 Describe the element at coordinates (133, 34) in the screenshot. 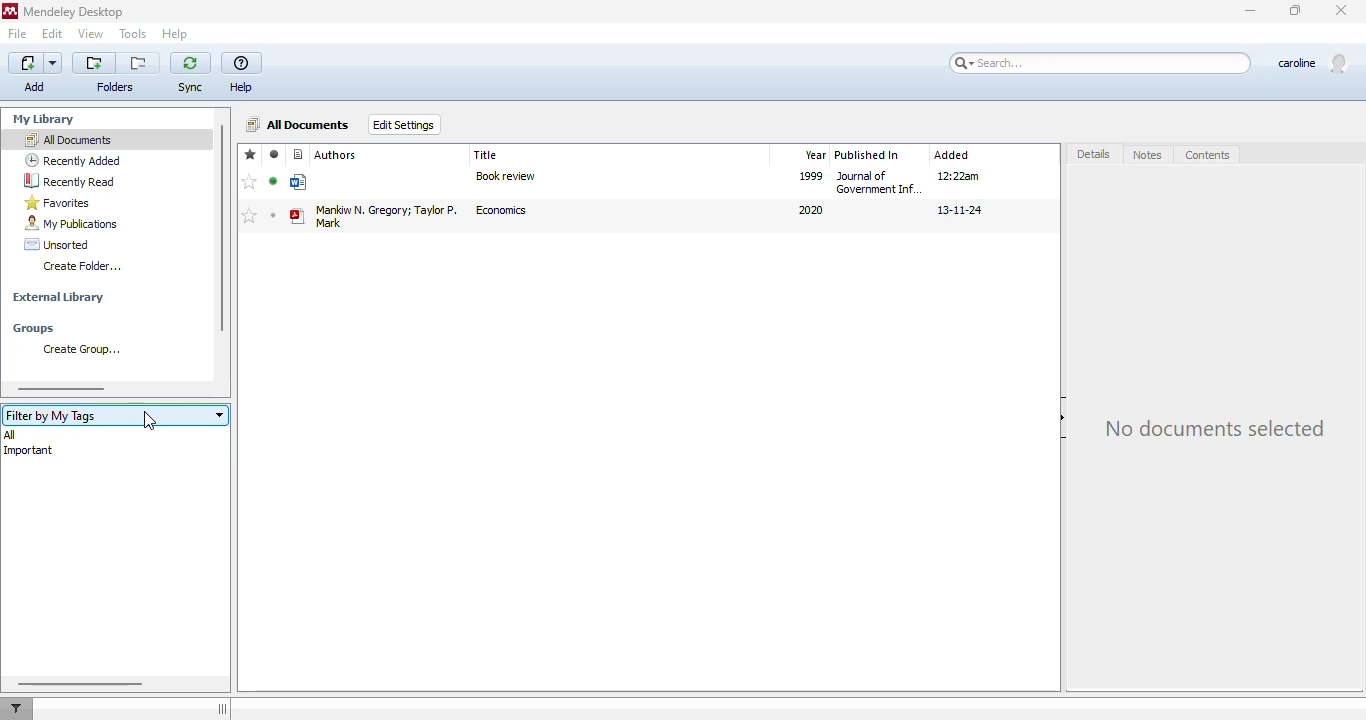

I see `tools` at that location.